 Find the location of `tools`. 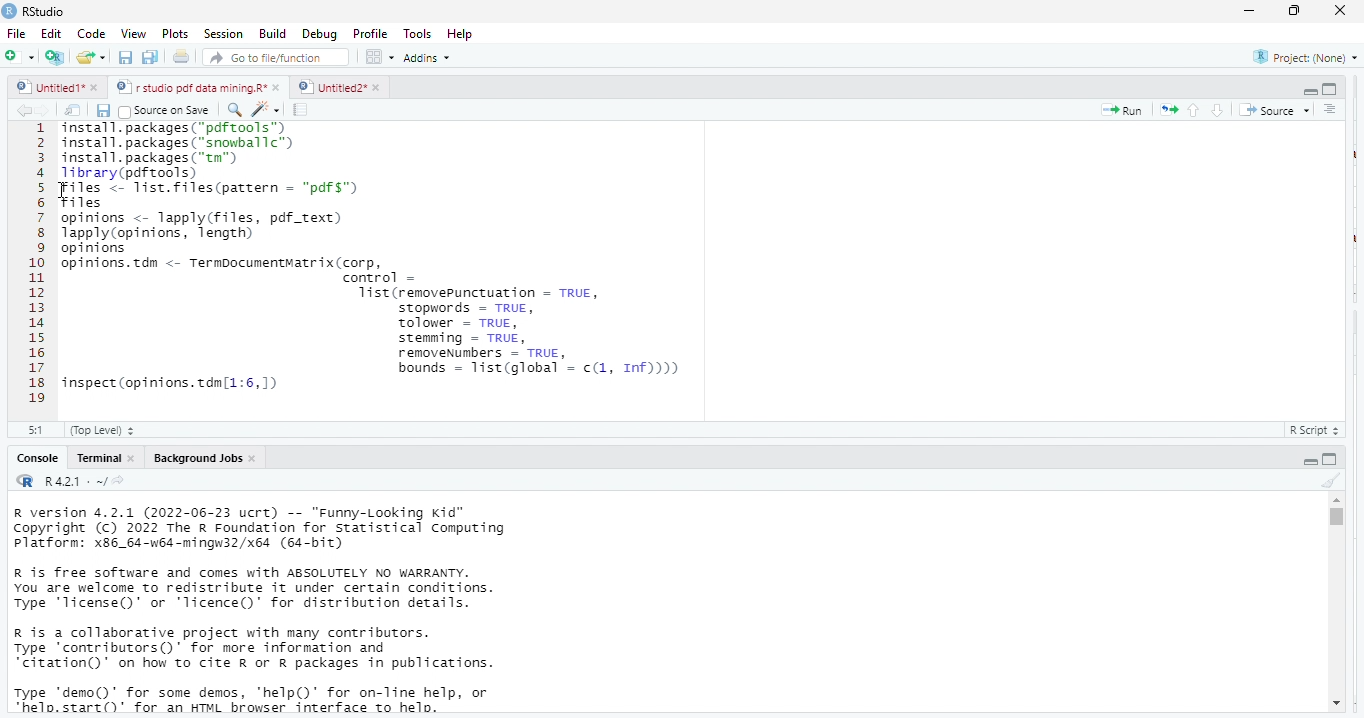

tools is located at coordinates (420, 32).